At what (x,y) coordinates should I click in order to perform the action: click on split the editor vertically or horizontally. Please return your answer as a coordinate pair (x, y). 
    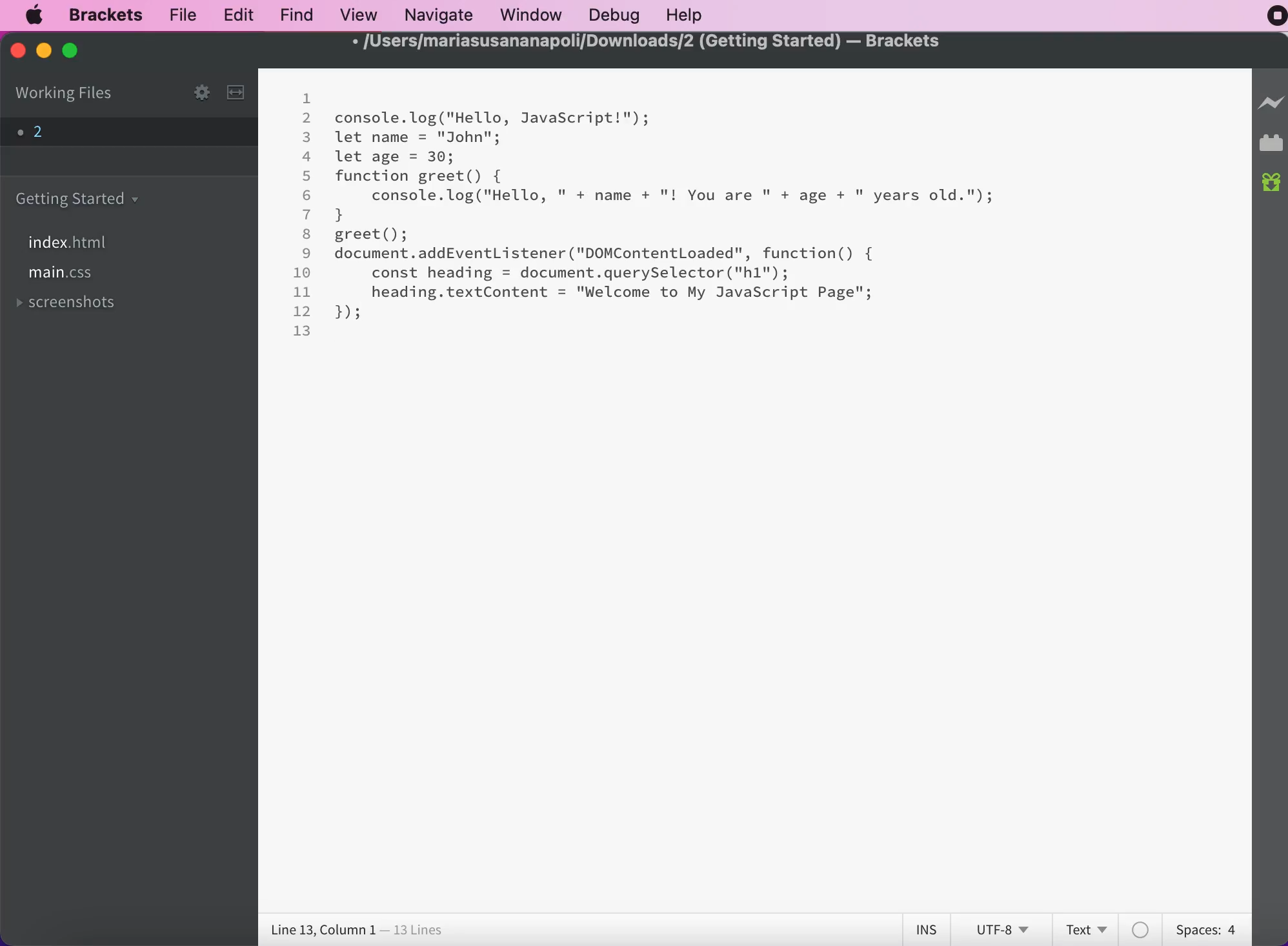
    Looking at the image, I should click on (235, 94).